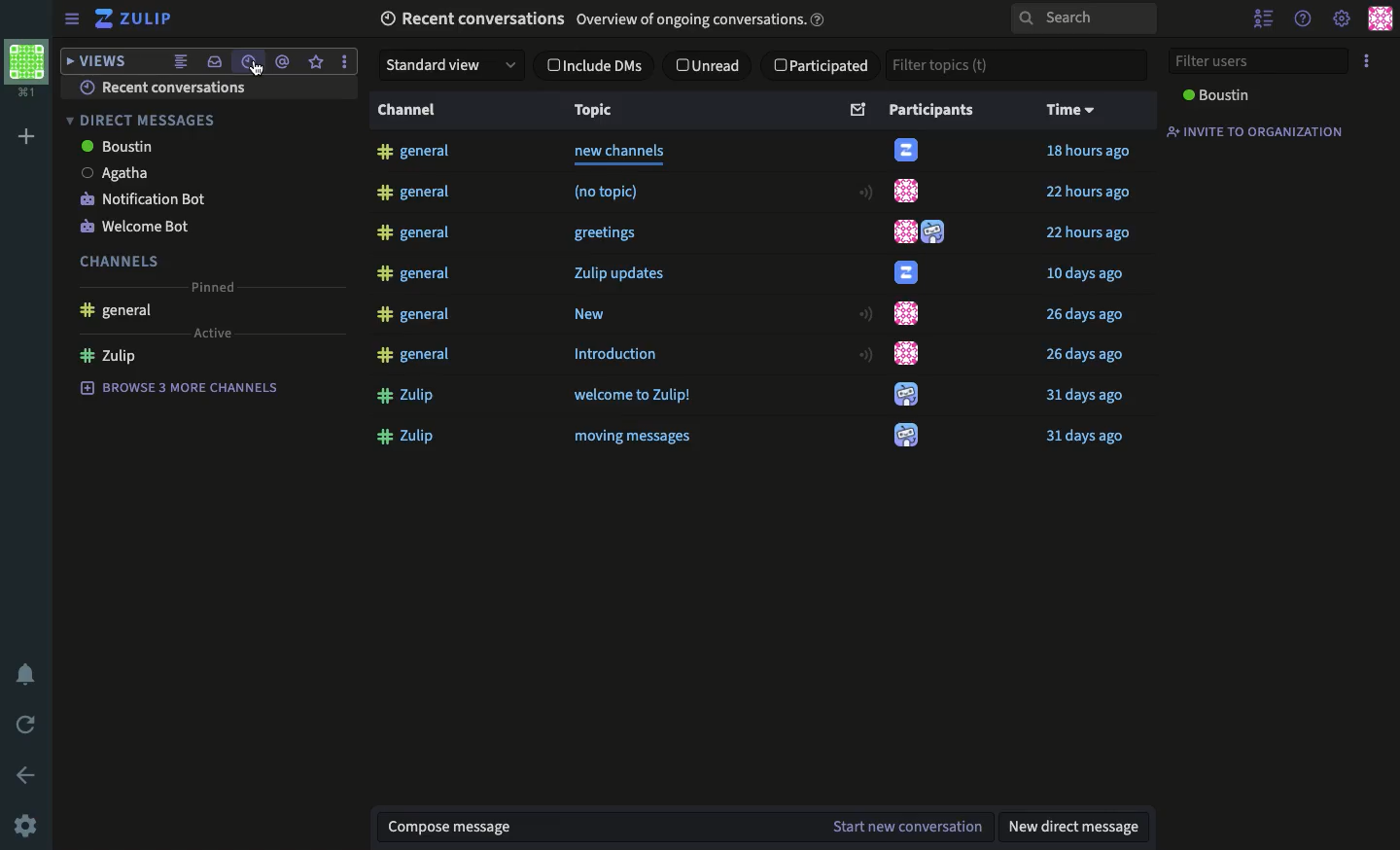 The image size is (1400, 850). I want to click on zulip, so click(409, 437).